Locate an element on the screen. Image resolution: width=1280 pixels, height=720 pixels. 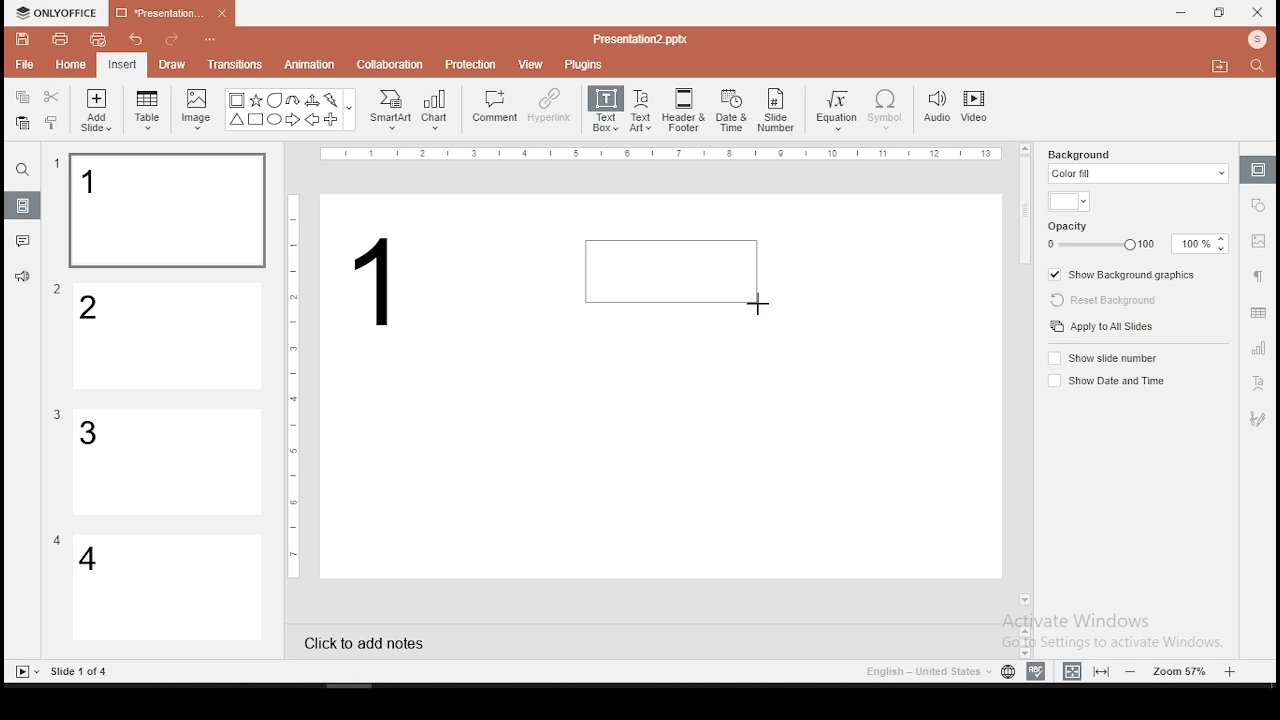
 is located at coordinates (57, 164).